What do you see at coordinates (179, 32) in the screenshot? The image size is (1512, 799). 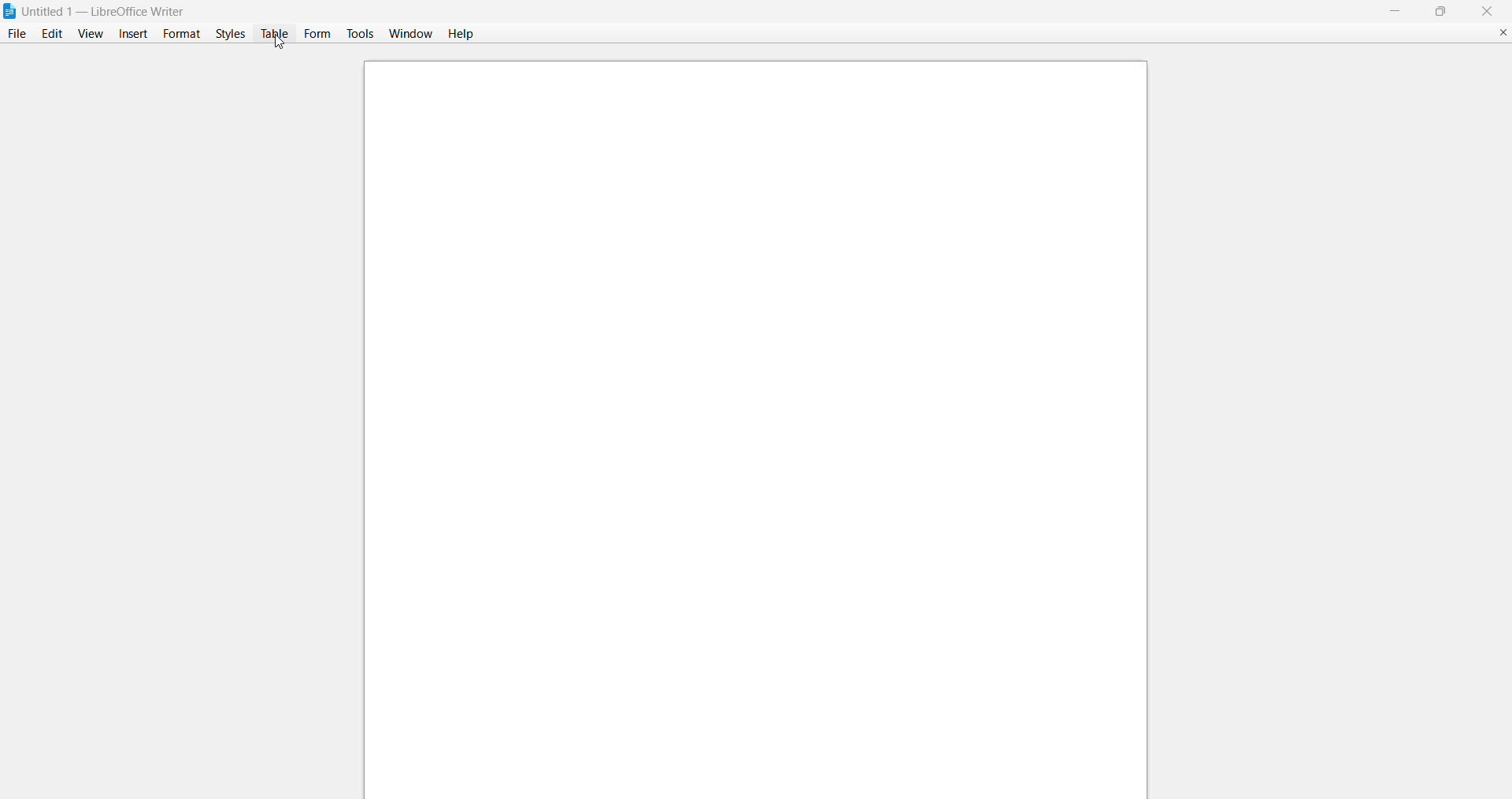 I see `format` at bounding box center [179, 32].